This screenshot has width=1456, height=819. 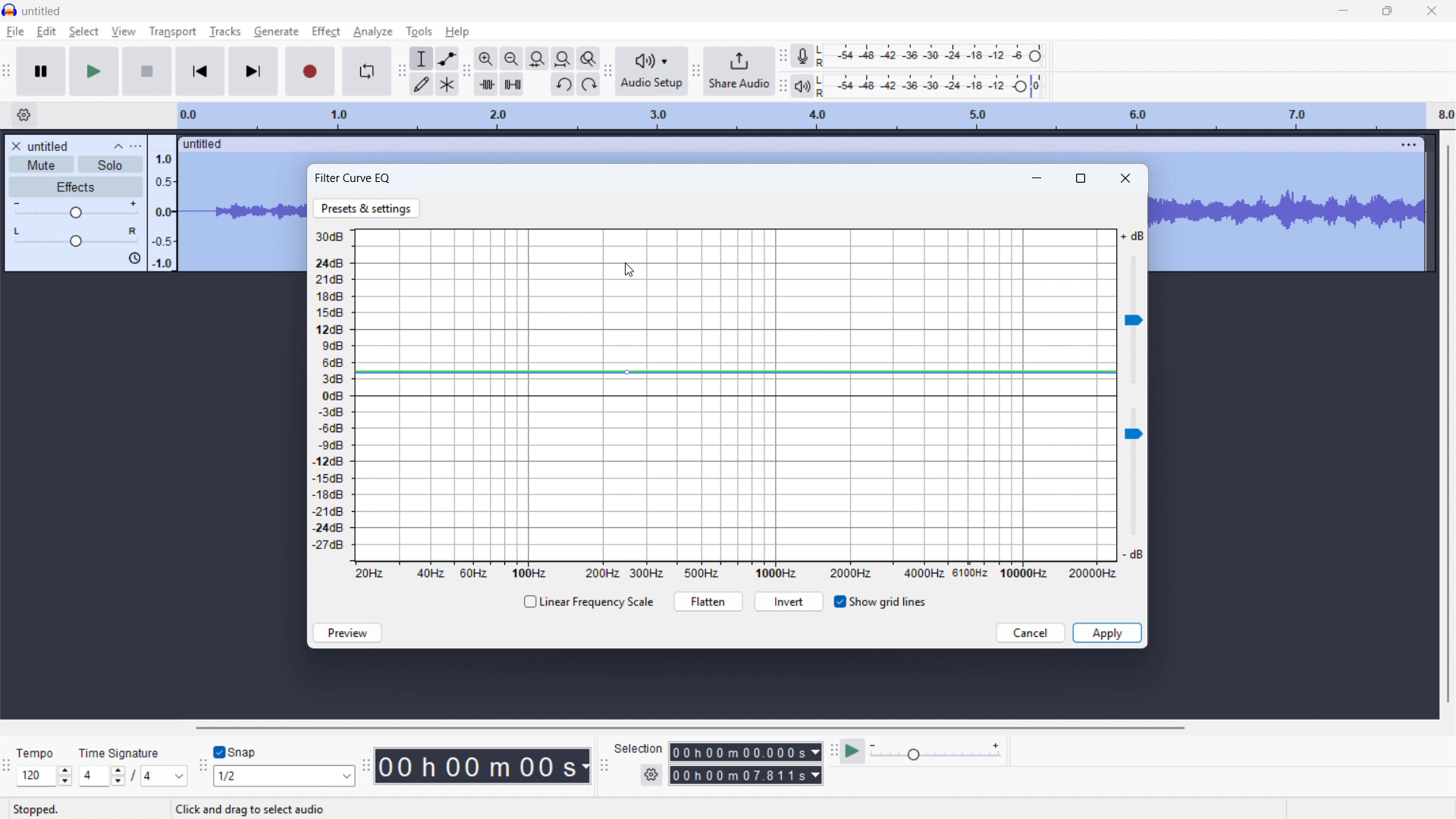 What do you see at coordinates (511, 58) in the screenshot?
I see `Zoom out ` at bounding box center [511, 58].